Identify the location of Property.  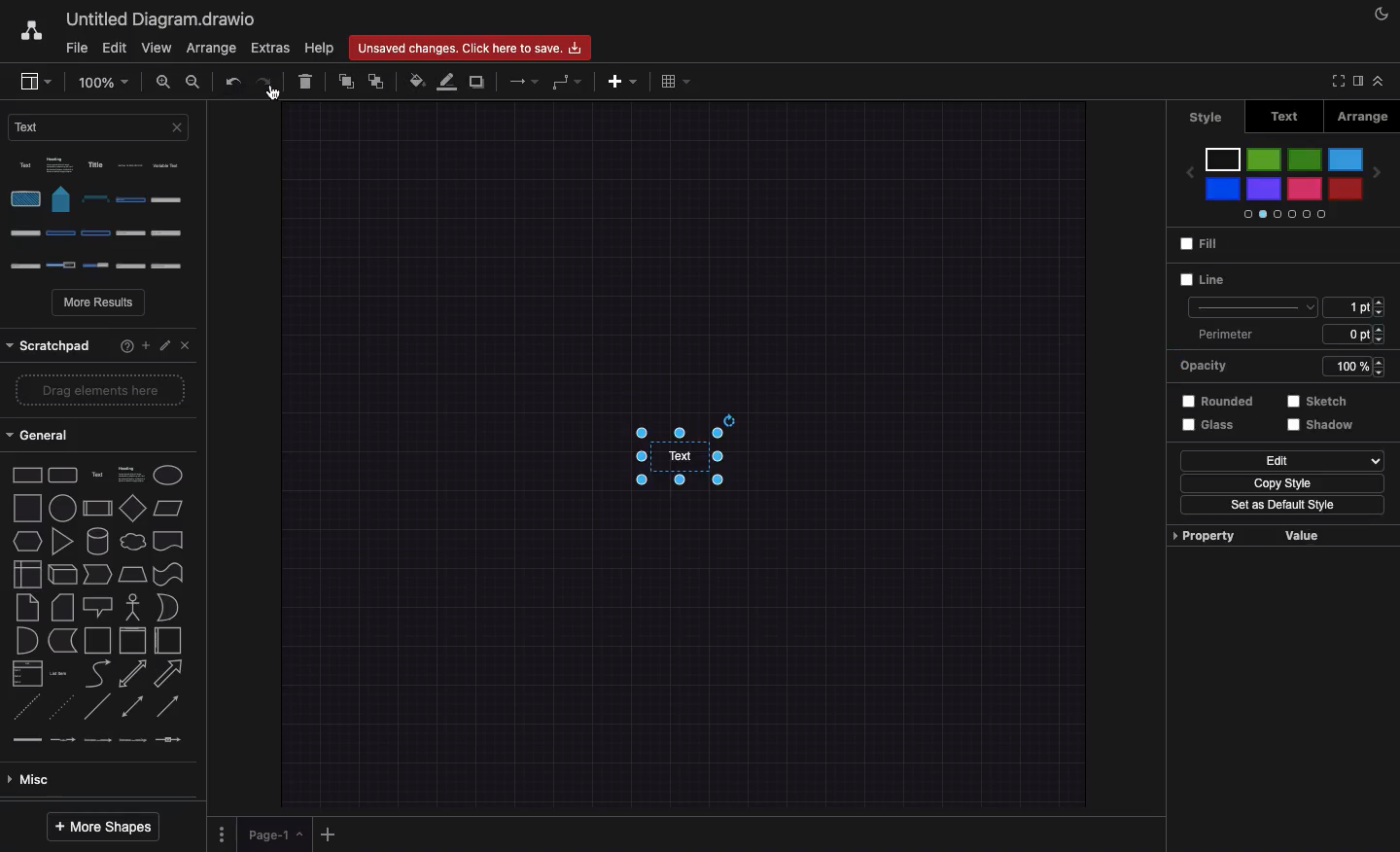
(1201, 535).